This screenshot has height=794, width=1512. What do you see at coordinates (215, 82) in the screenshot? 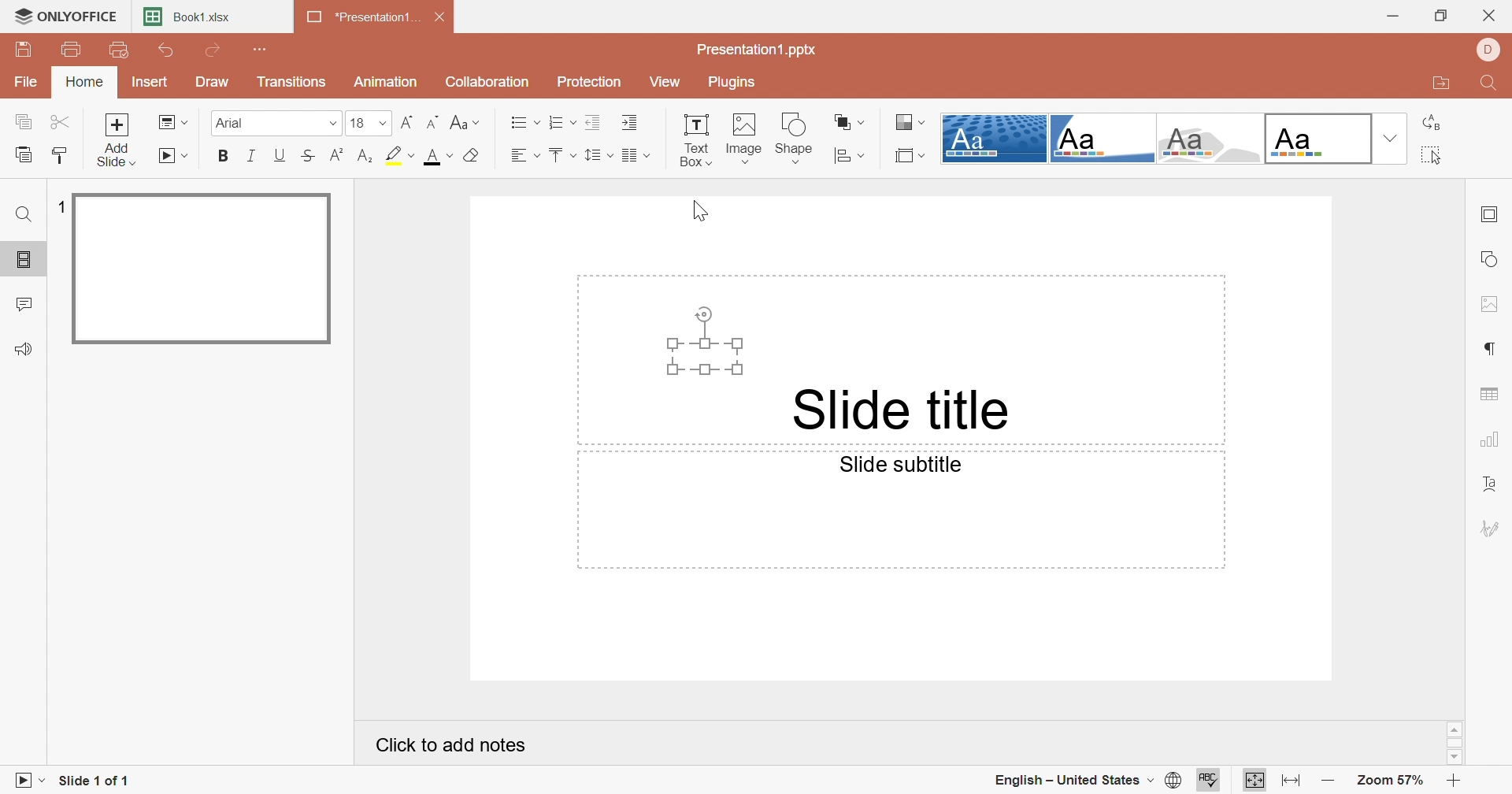
I see `Draw` at bounding box center [215, 82].